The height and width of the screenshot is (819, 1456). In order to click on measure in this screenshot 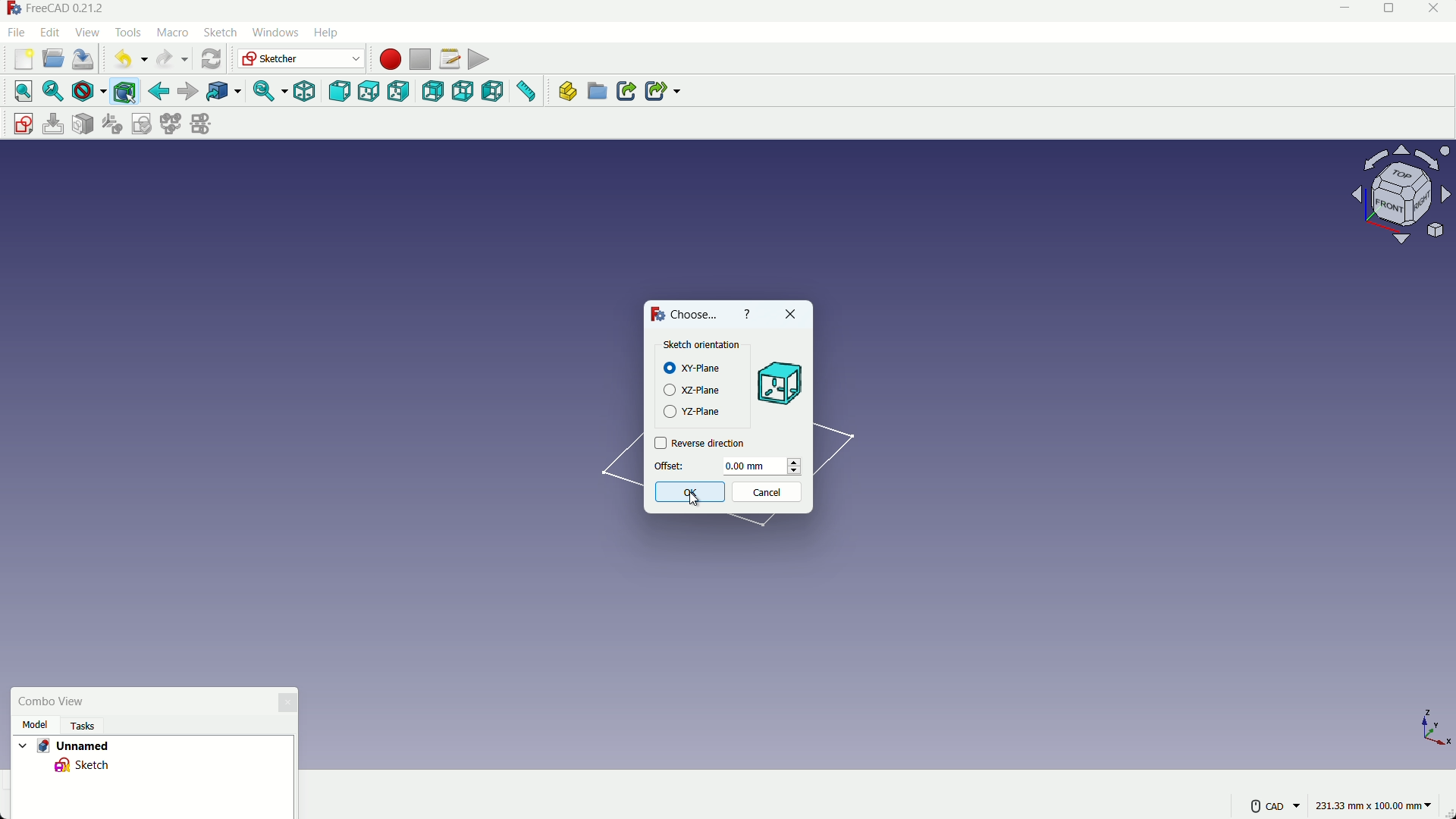, I will do `click(525, 91)`.